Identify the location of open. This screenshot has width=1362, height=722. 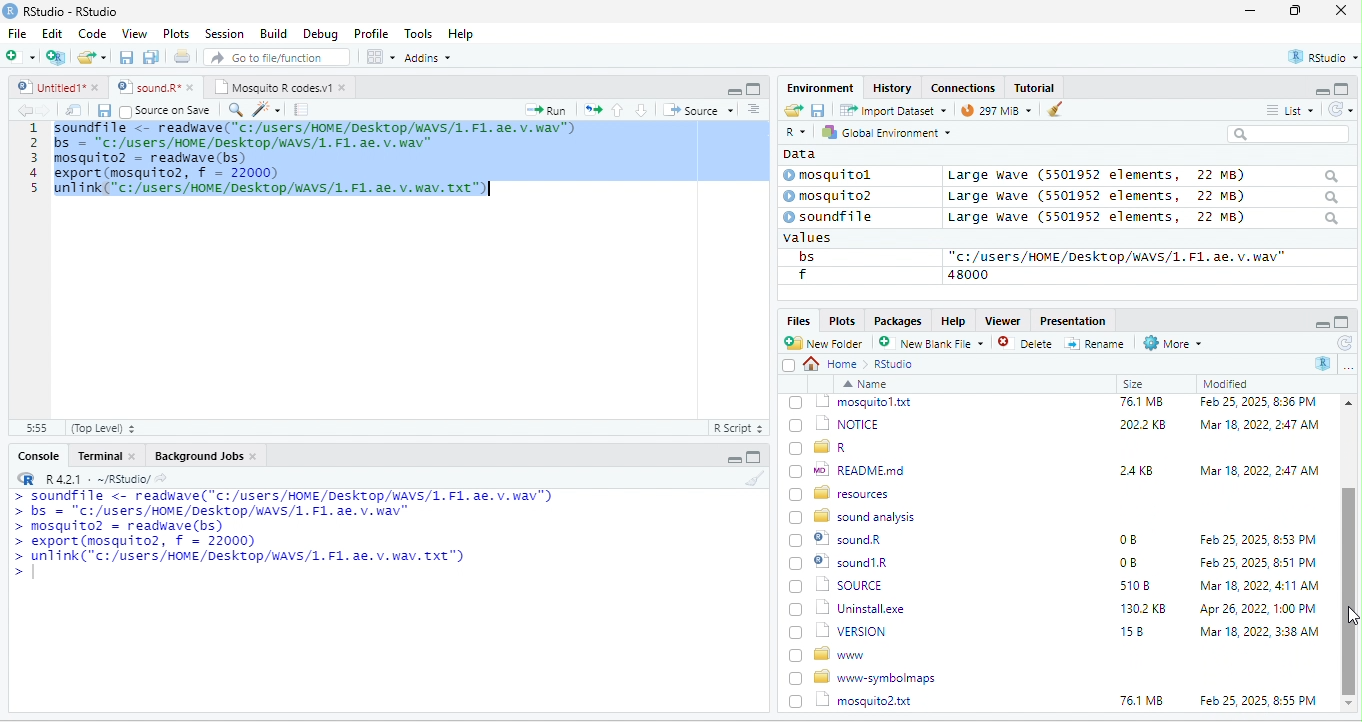
(593, 108).